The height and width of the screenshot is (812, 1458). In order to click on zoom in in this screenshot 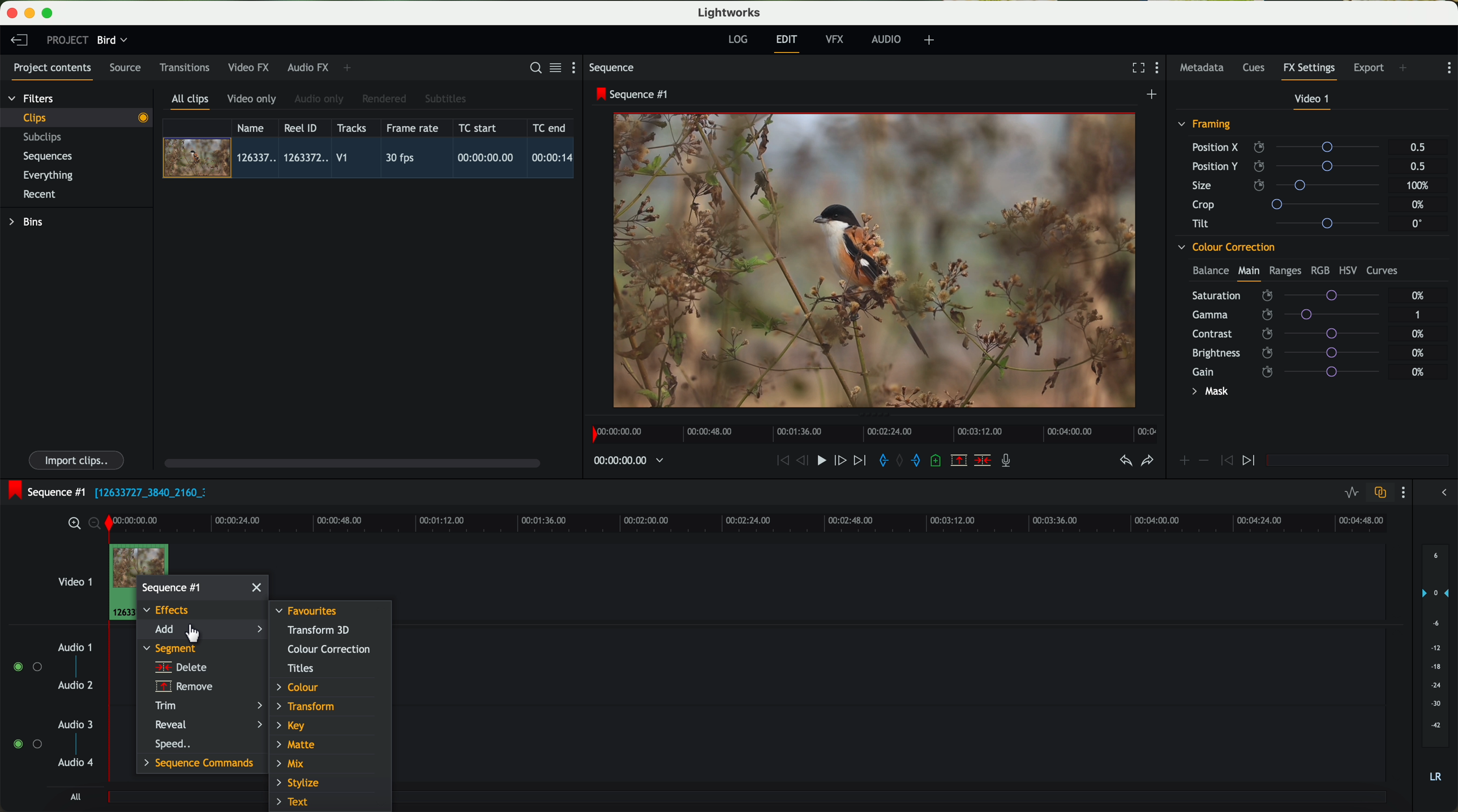, I will do `click(72, 524)`.